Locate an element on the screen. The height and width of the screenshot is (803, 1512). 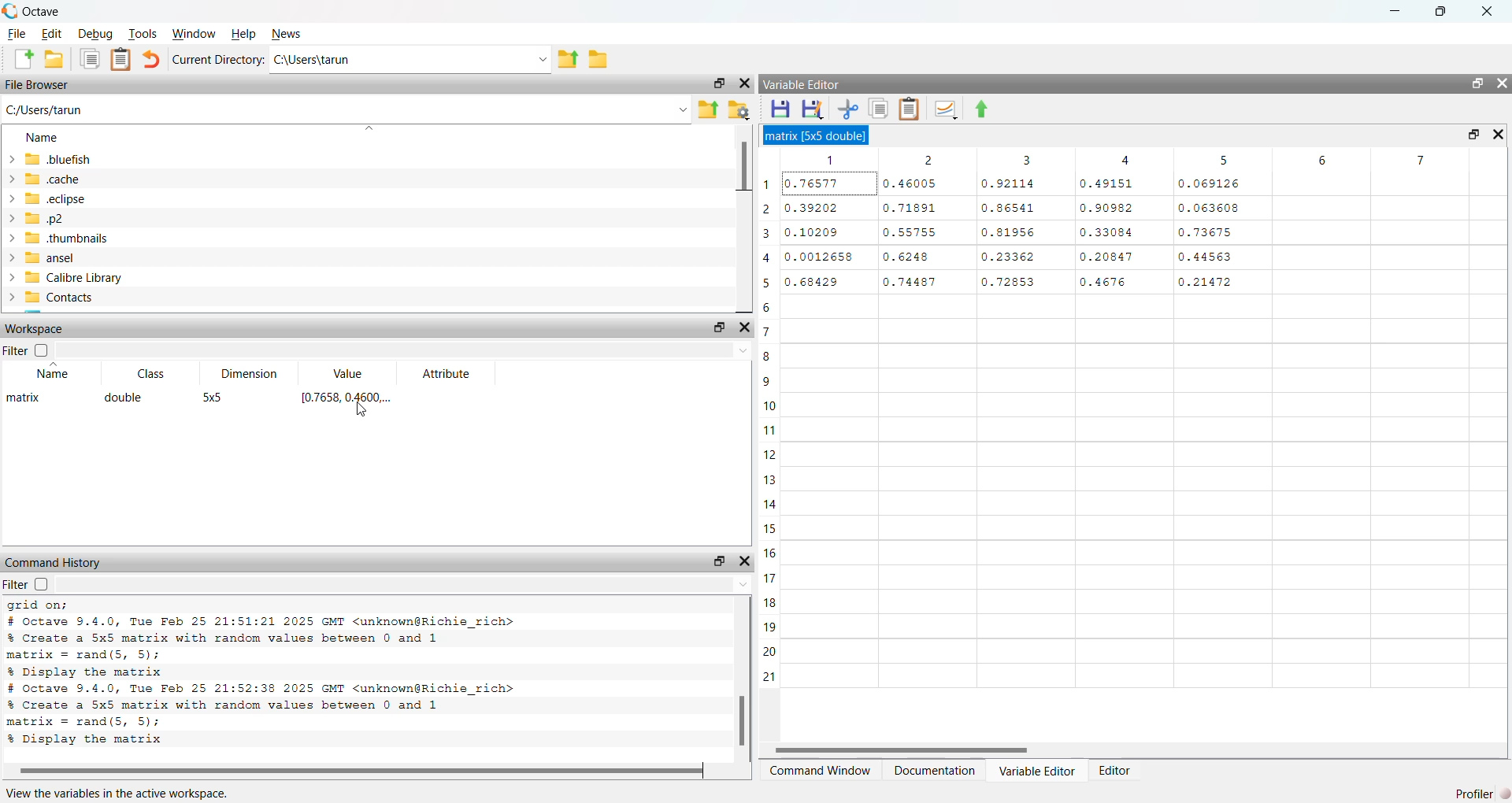
Name is located at coordinates (55, 375).